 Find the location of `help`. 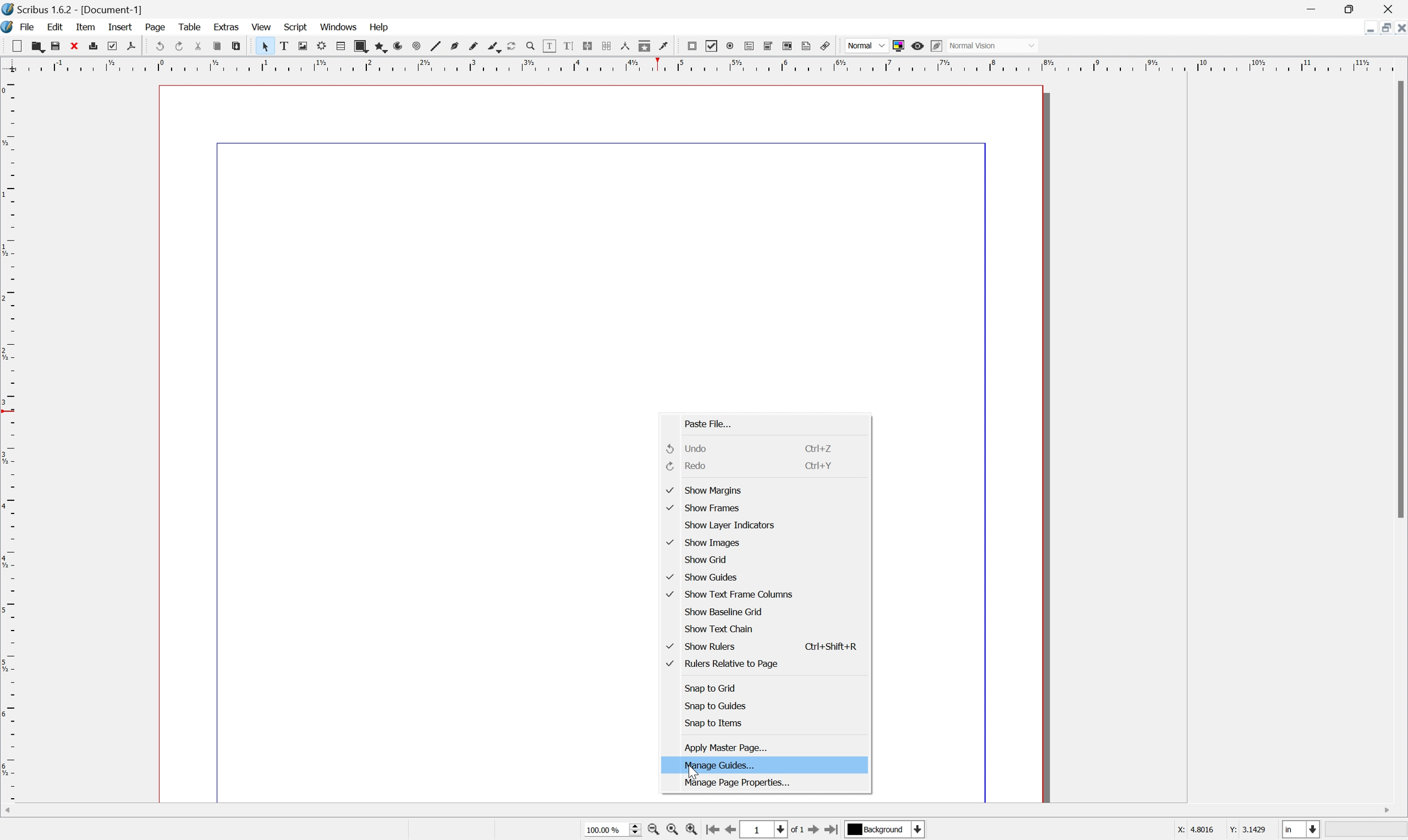

help is located at coordinates (379, 27).